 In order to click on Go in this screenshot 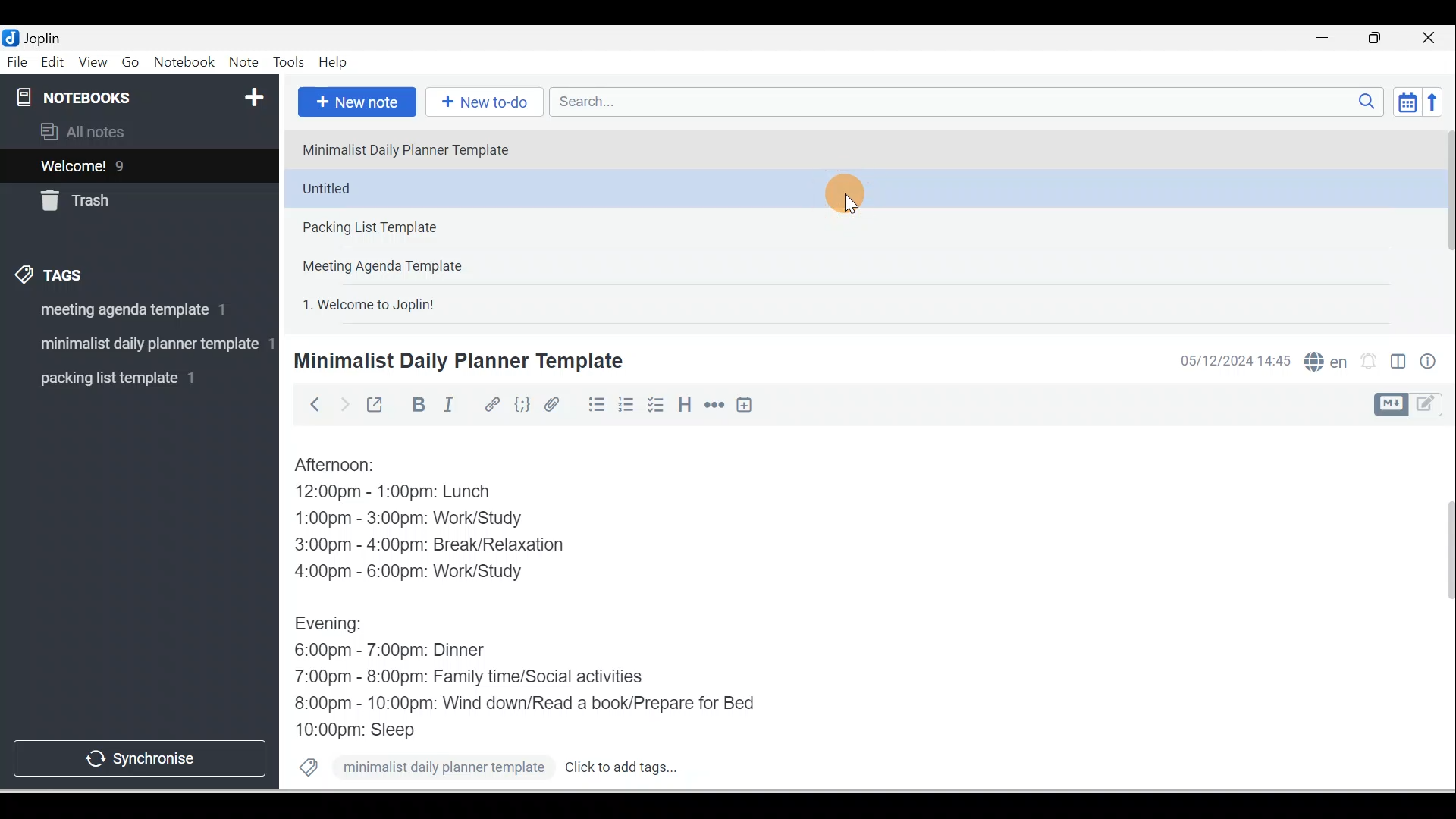, I will do `click(133, 63)`.